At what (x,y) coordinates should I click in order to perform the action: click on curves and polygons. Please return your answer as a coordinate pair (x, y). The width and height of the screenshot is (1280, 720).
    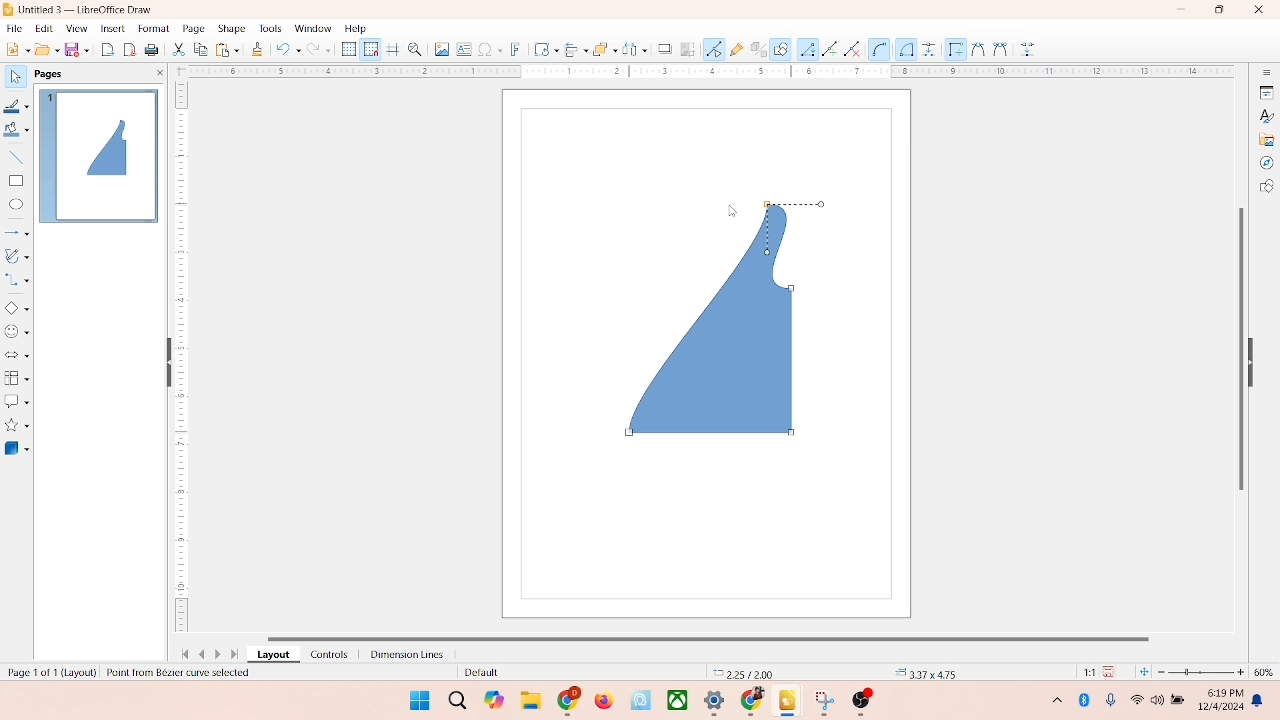
    Looking at the image, I should click on (18, 254).